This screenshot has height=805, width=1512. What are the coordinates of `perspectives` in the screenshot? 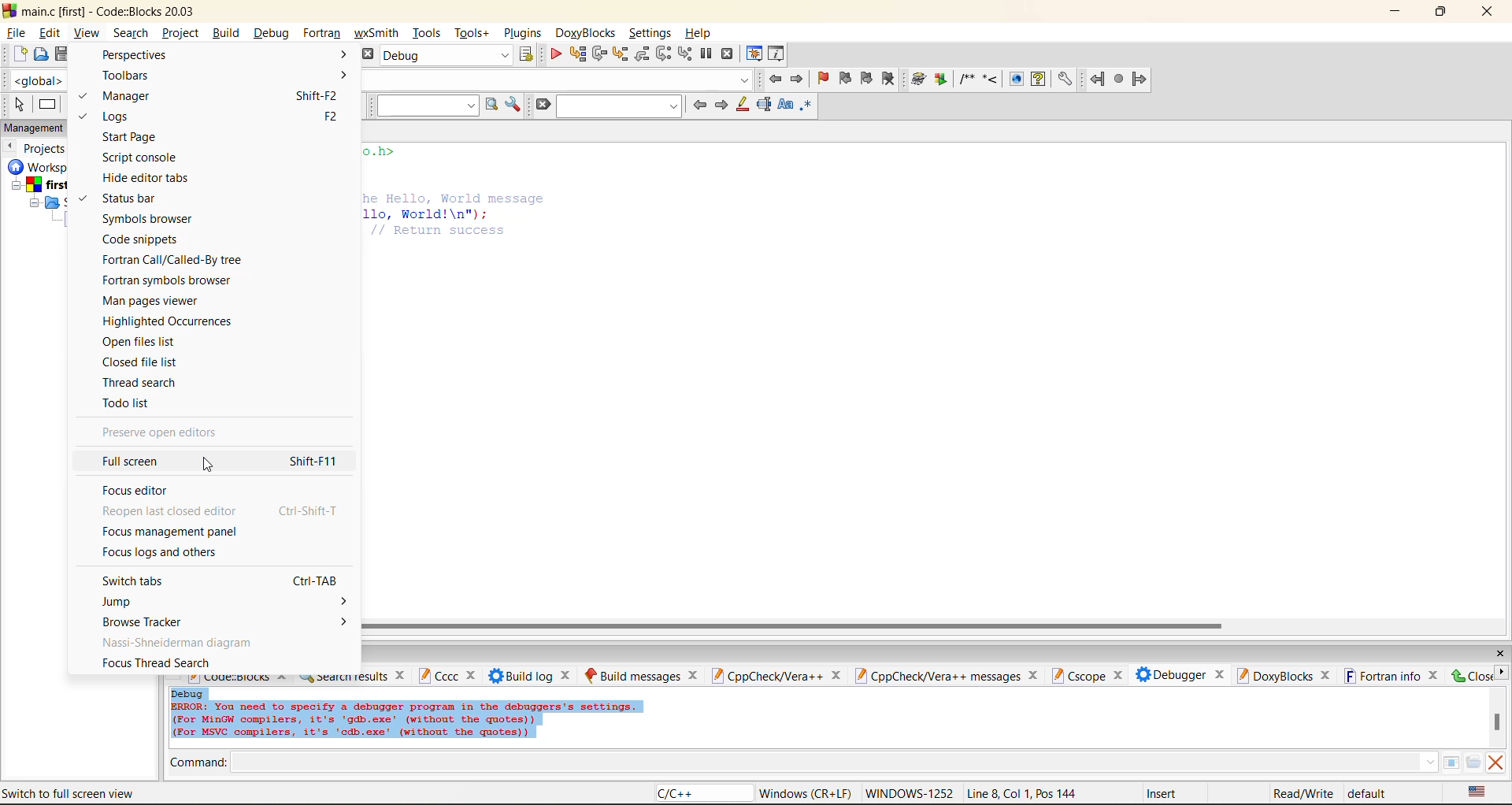 It's located at (141, 54).